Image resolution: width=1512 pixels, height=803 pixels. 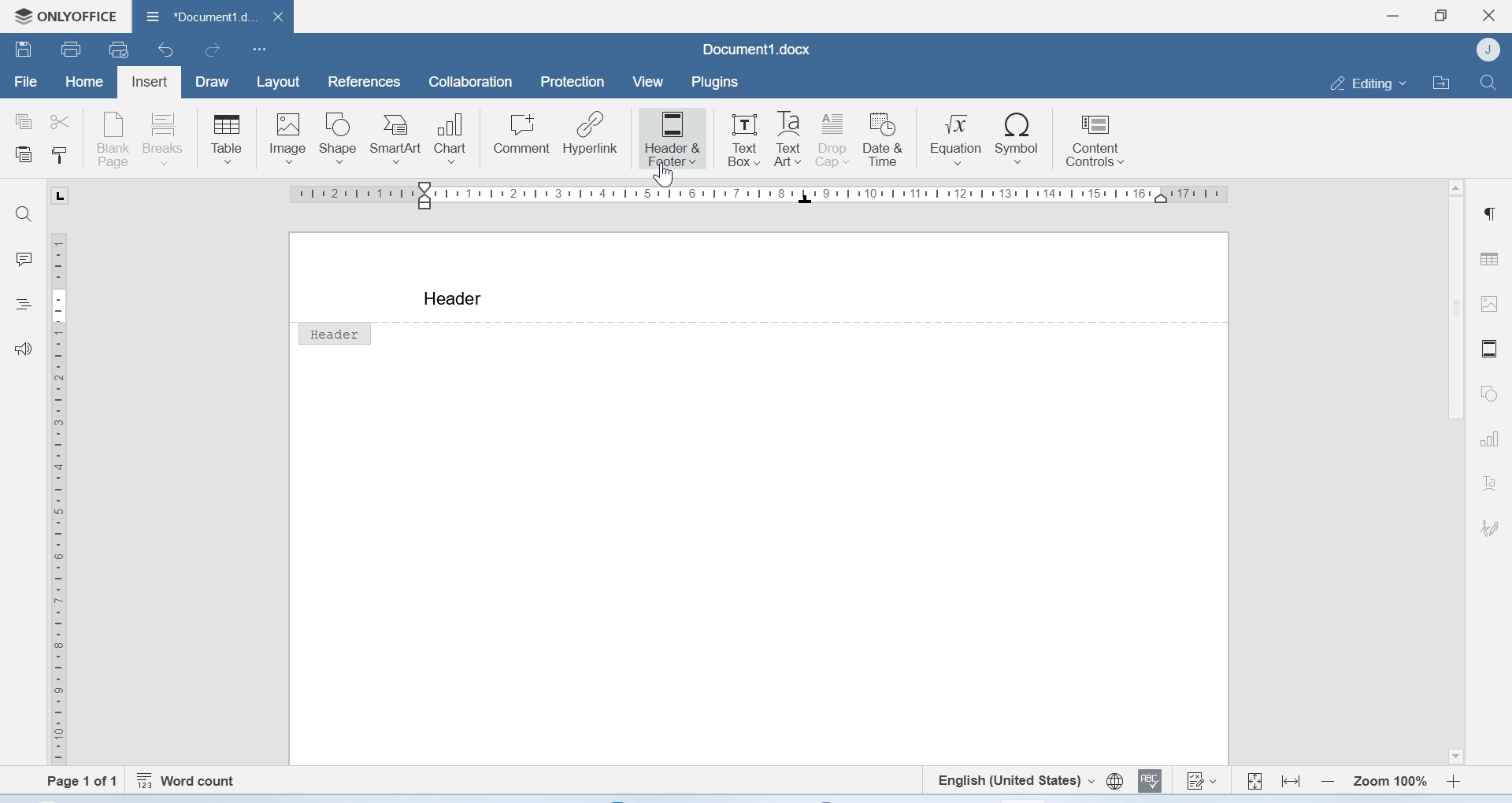 What do you see at coordinates (1454, 779) in the screenshot?
I see `Zoom in` at bounding box center [1454, 779].